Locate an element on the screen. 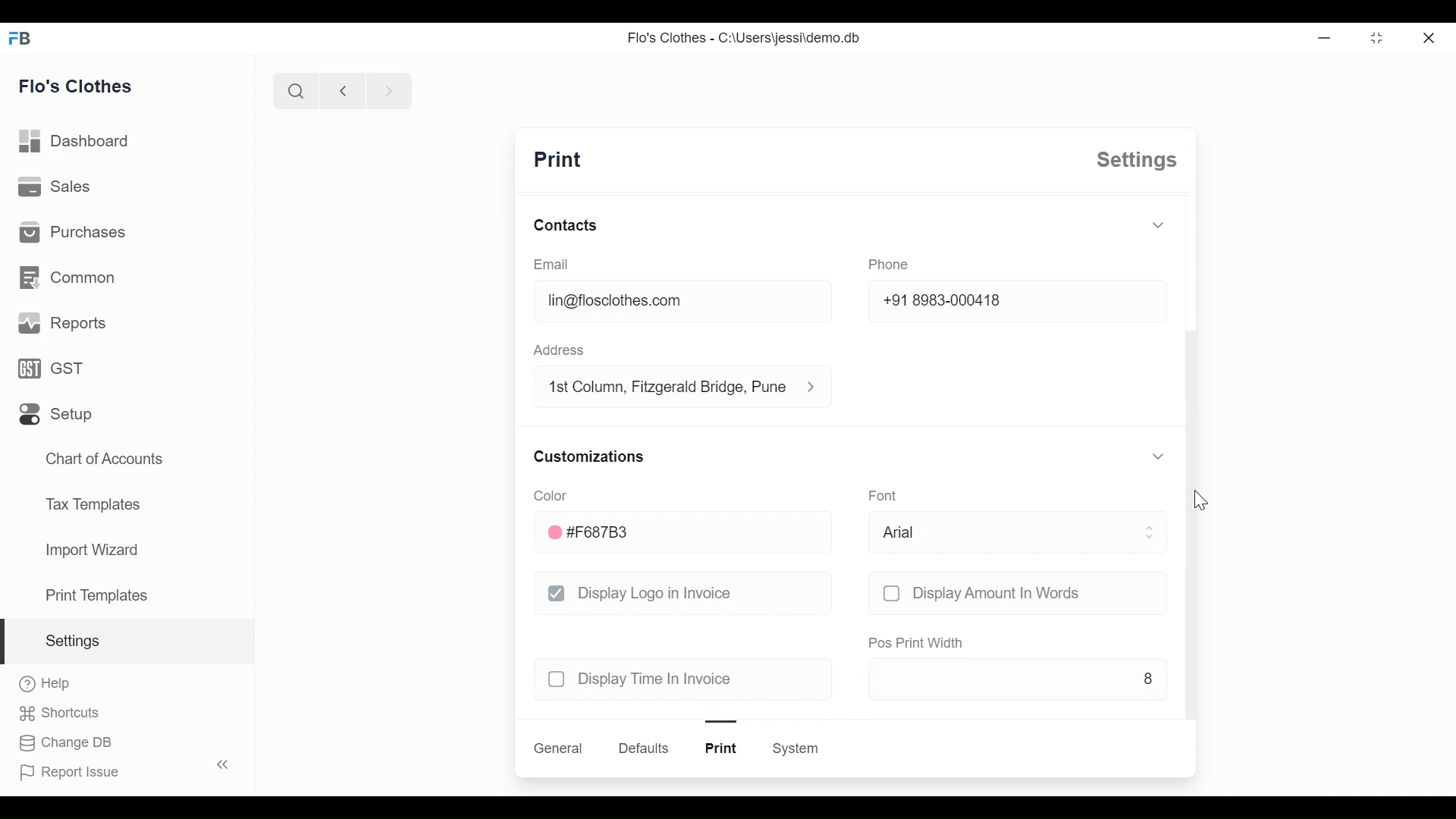 The height and width of the screenshot is (819, 1456). address is located at coordinates (558, 350).